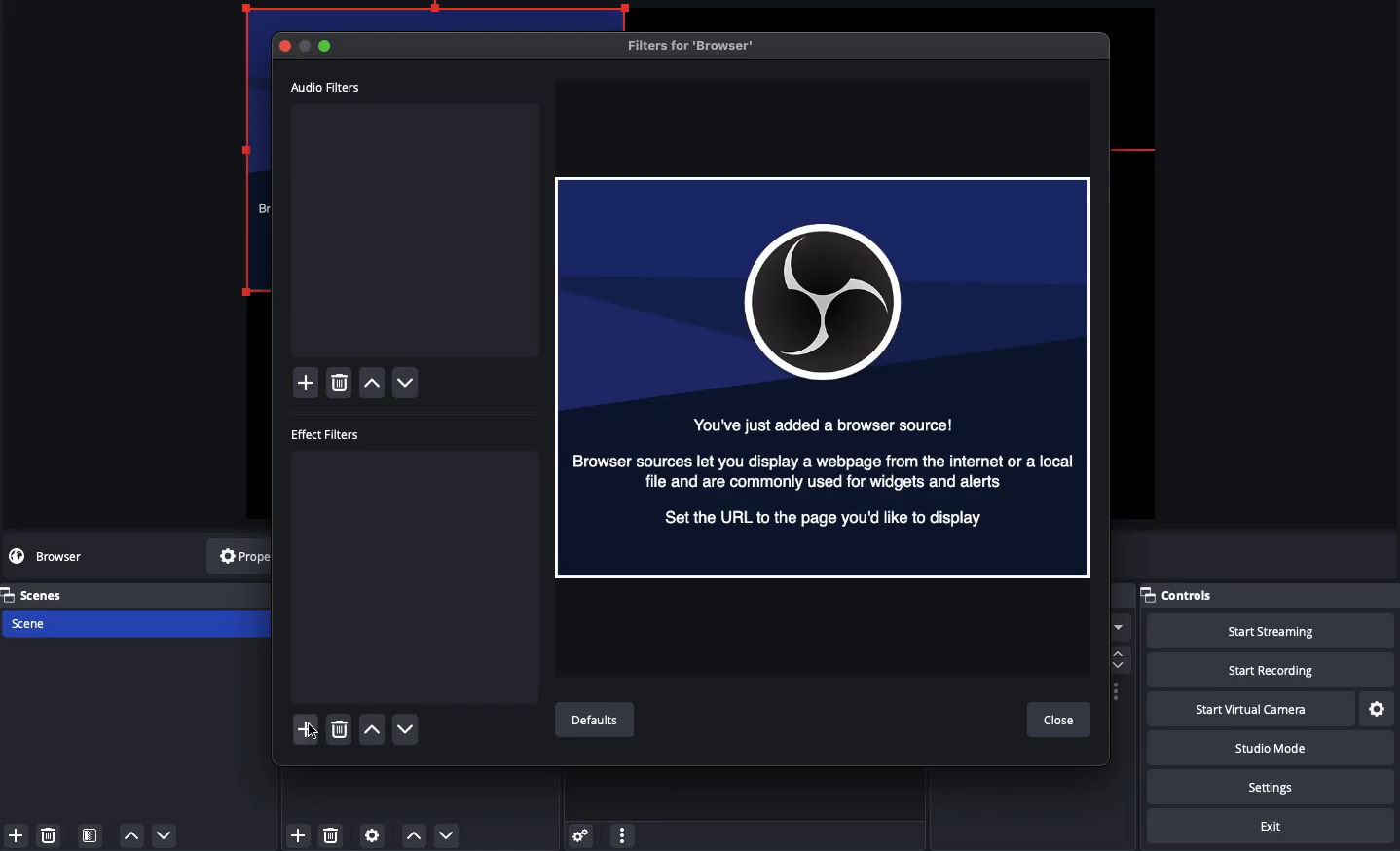 This screenshot has width=1400, height=851. What do you see at coordinates (316, 739) in the screenshot?
I see `Cursor` at bounding box center [316, 739].